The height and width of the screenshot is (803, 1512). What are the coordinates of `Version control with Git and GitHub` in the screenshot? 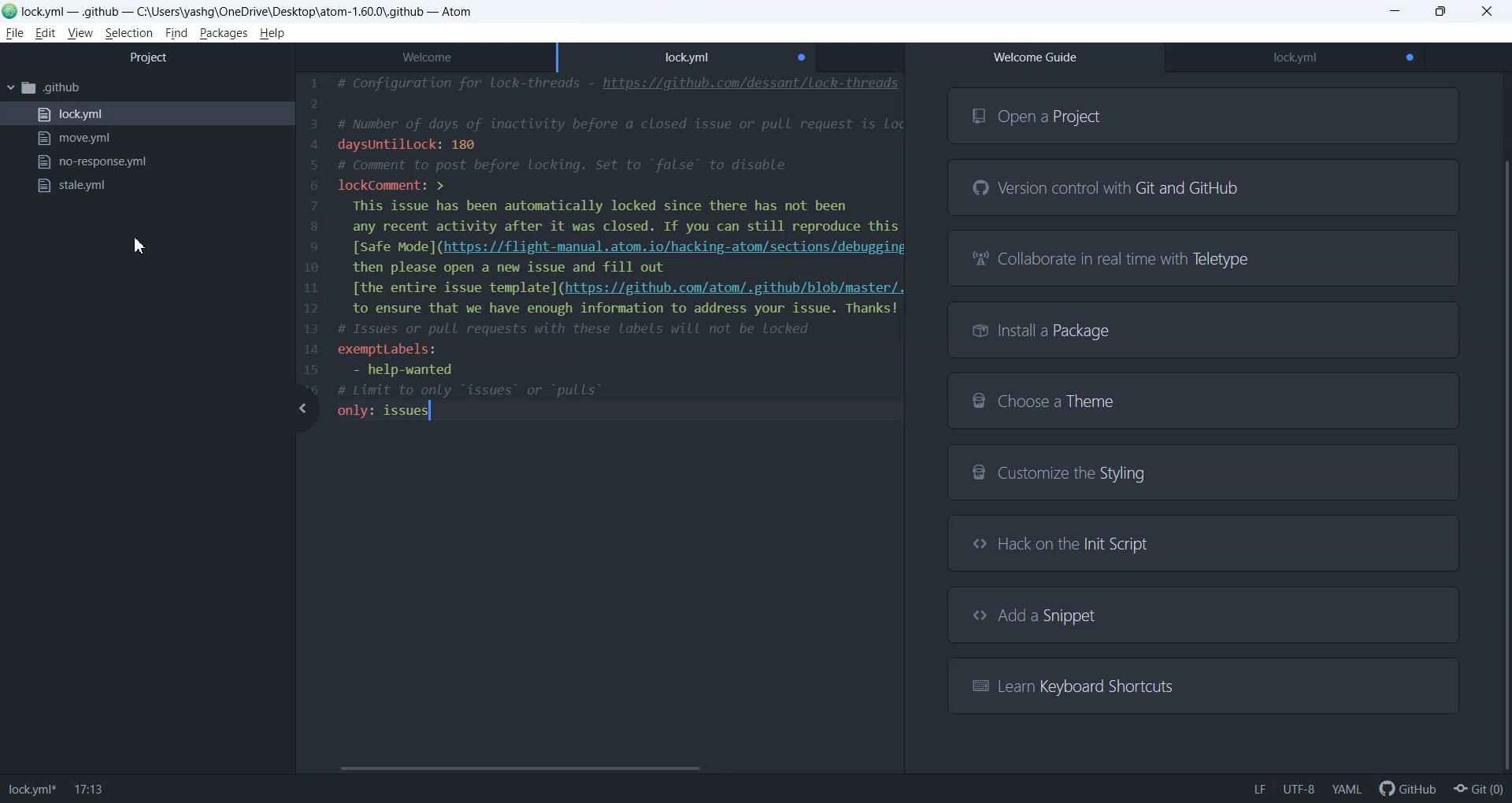 It's located at (1204, 188).